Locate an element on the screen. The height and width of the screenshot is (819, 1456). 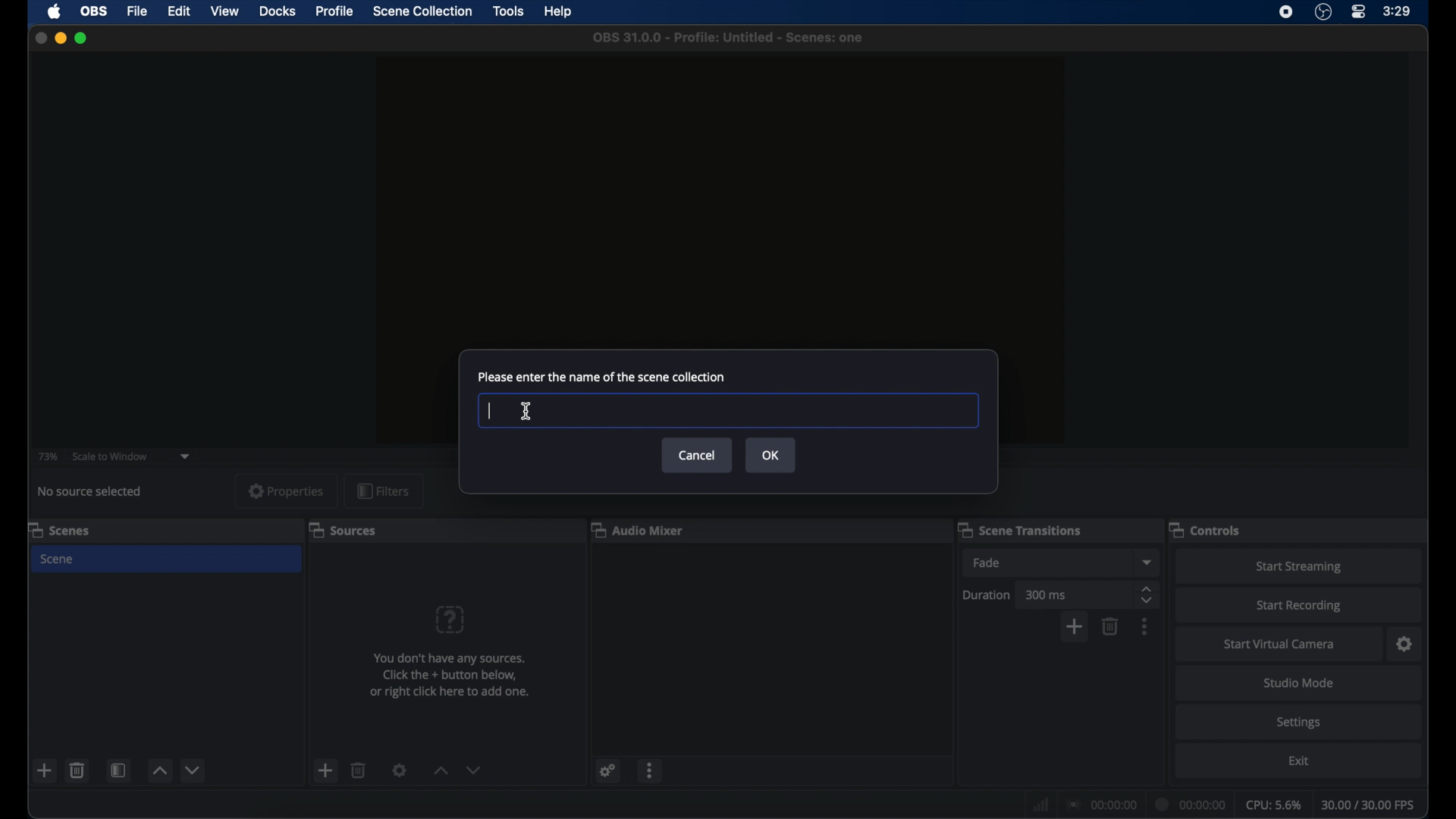
increment is located at coordinates (158, 772).